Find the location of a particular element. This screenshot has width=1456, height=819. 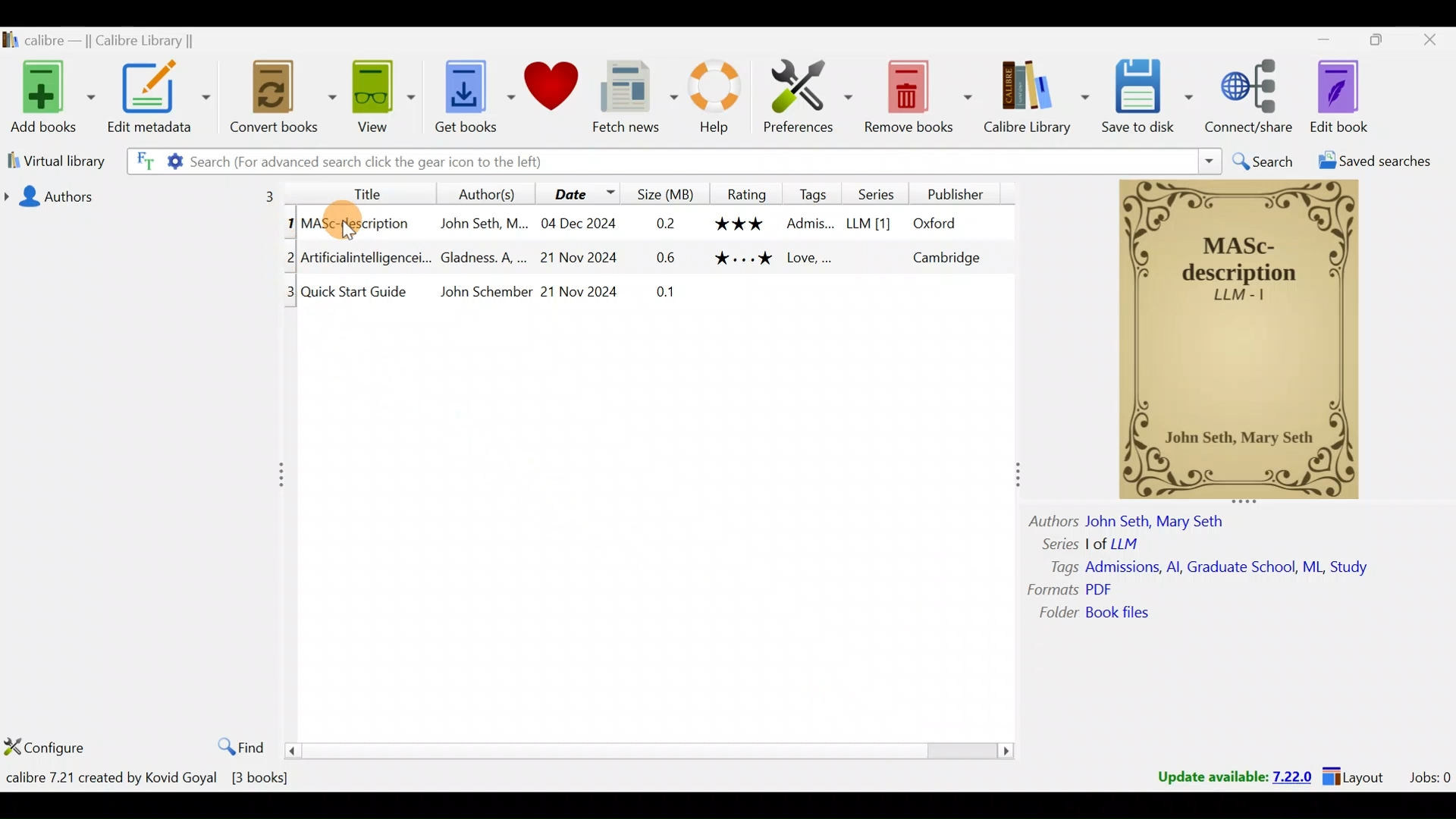

 is located at coordinates (582, 255).